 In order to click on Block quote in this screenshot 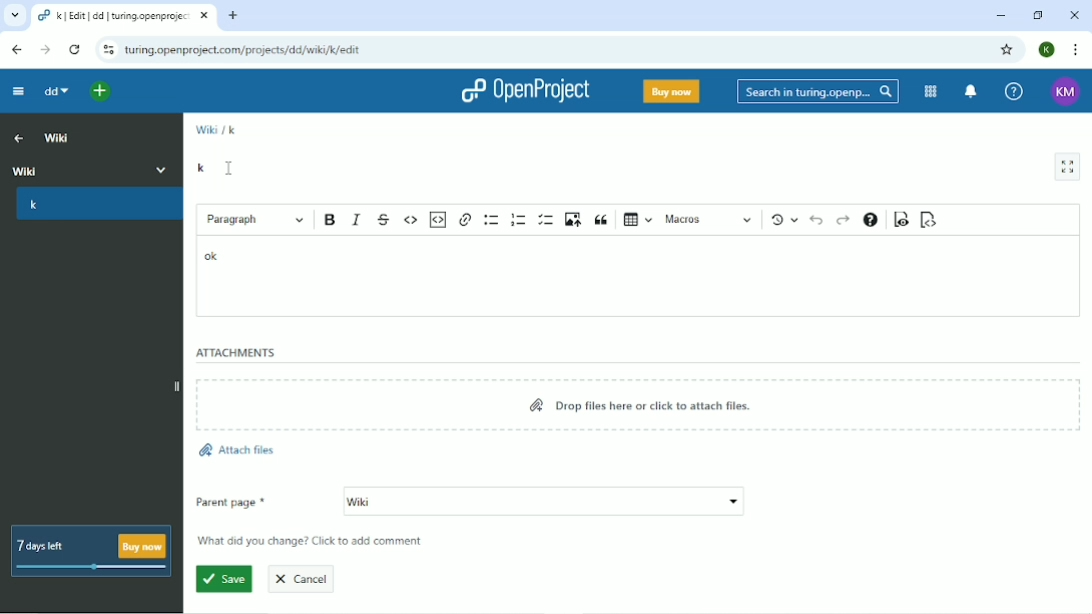, I will do `click(600, 220)`.